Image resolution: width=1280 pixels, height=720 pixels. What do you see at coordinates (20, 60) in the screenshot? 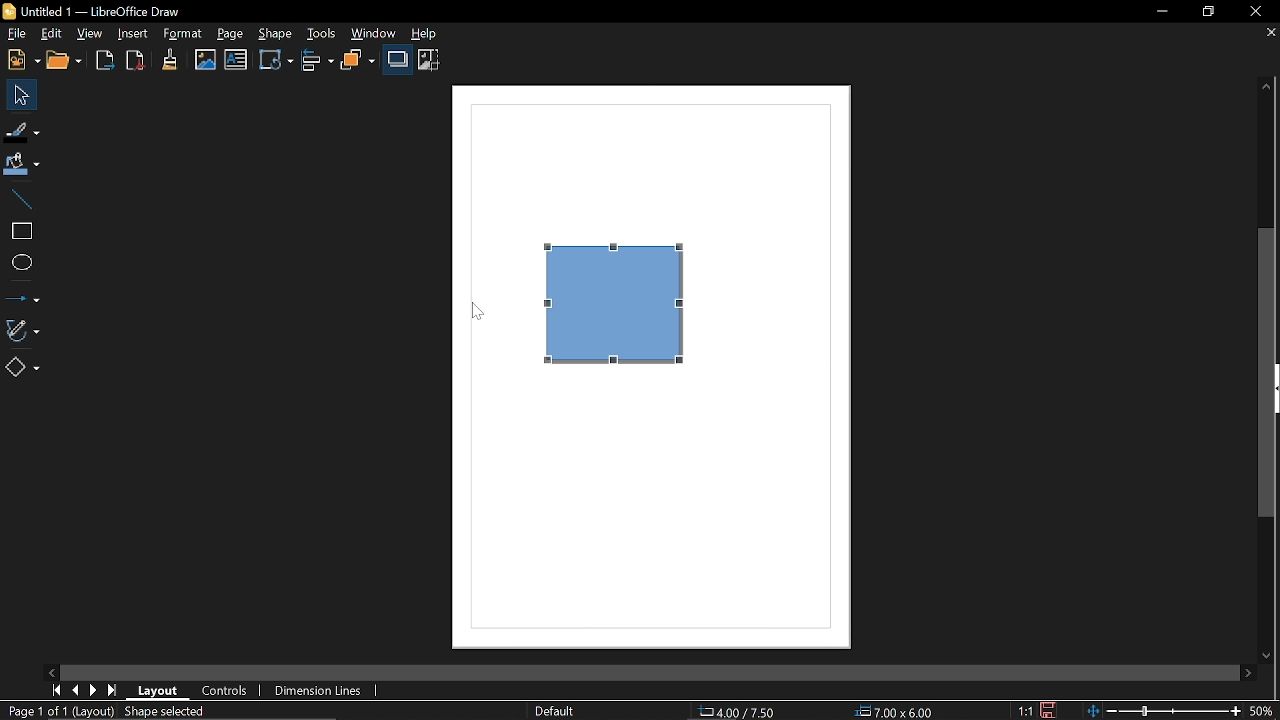
I see `New` at bounding box center [20, 60].